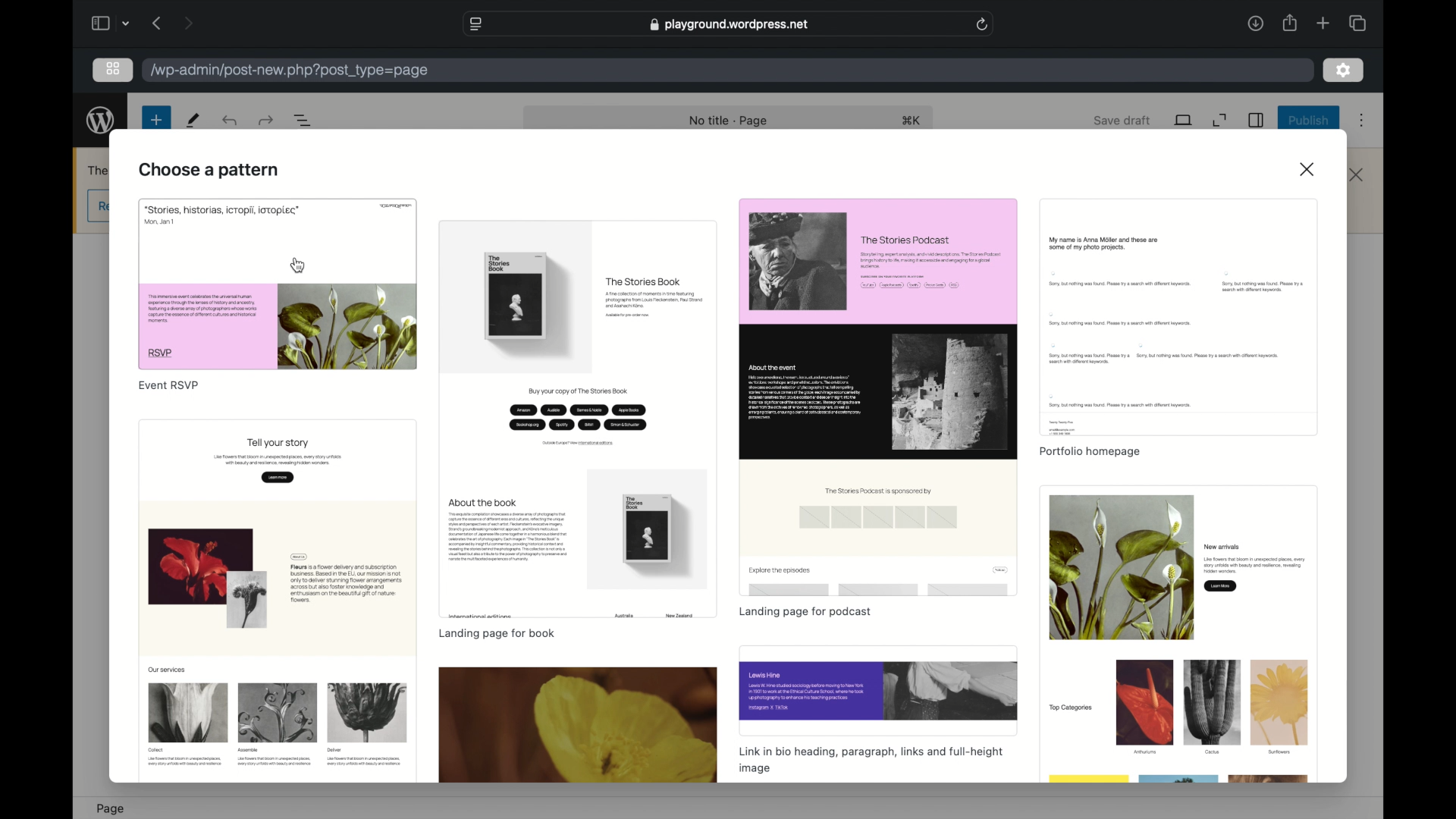 This screenshot has width=1456, height=819. I want to click on tools, so click(194, 120).